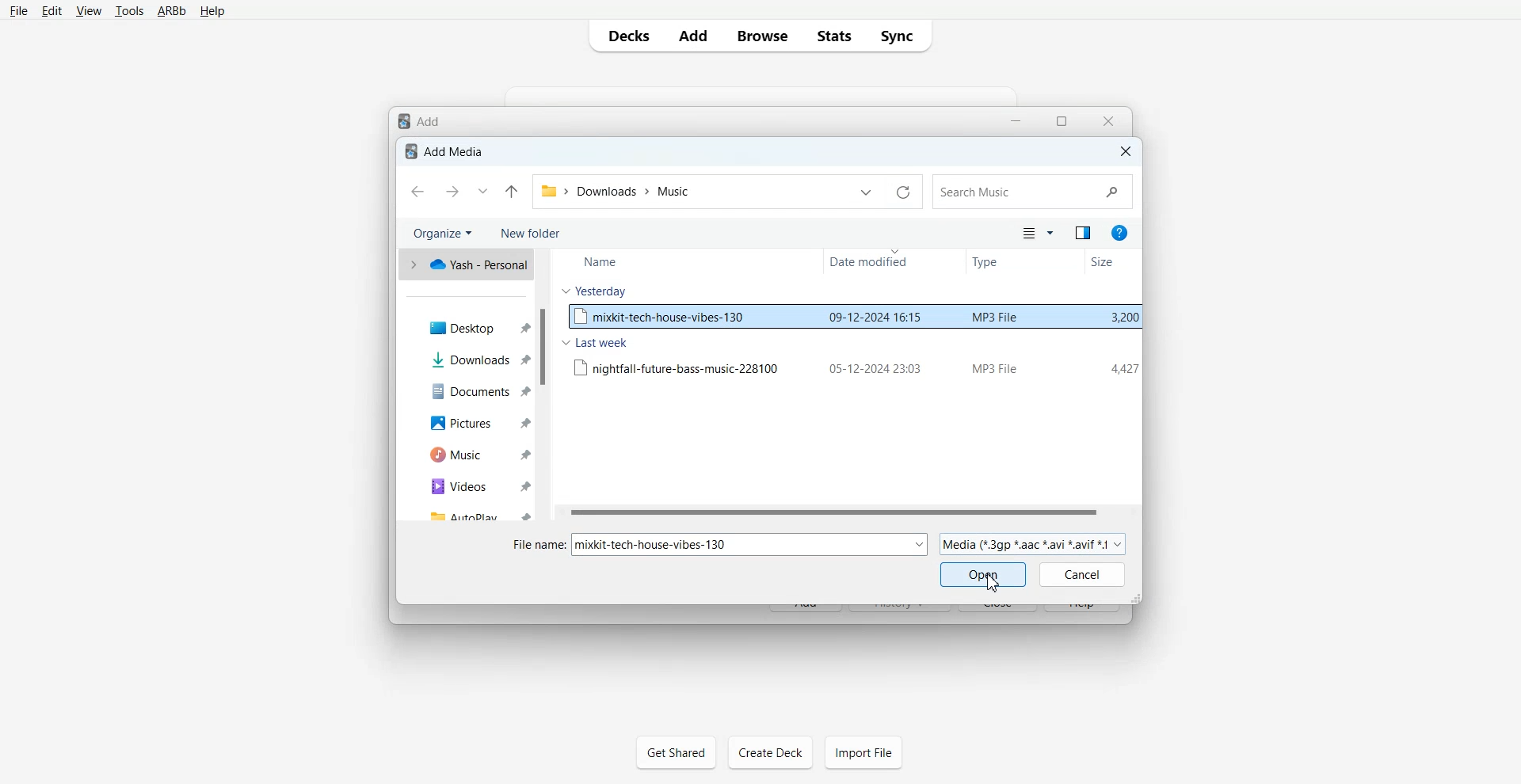 This screenshot has height=784, width=1521. What do you see at coordinates (595, 291) in the screenshot?
I see `yesterday` at bounding box center [595, 291].